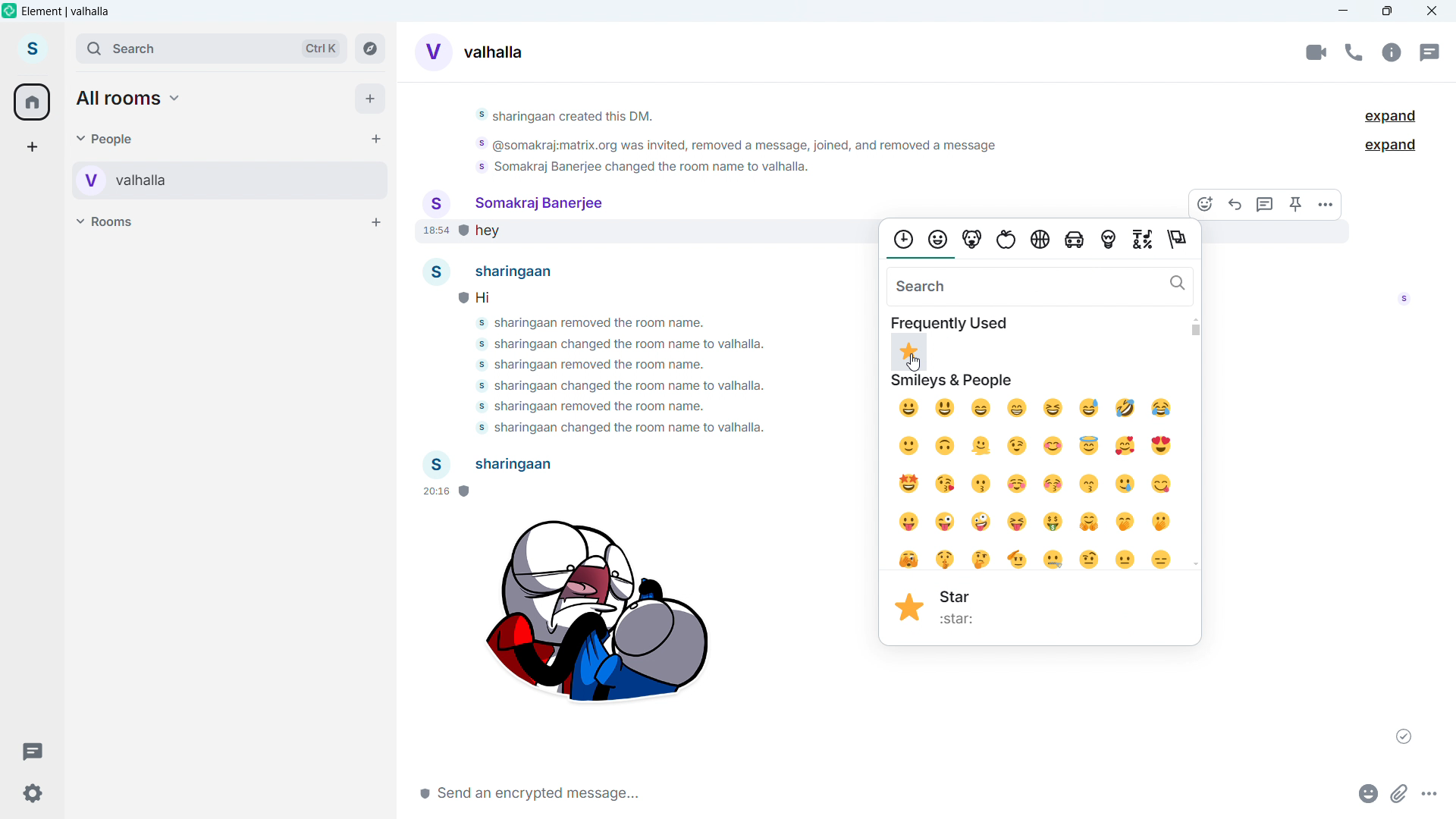  I want to click on Chat options , so click(1391, 52).